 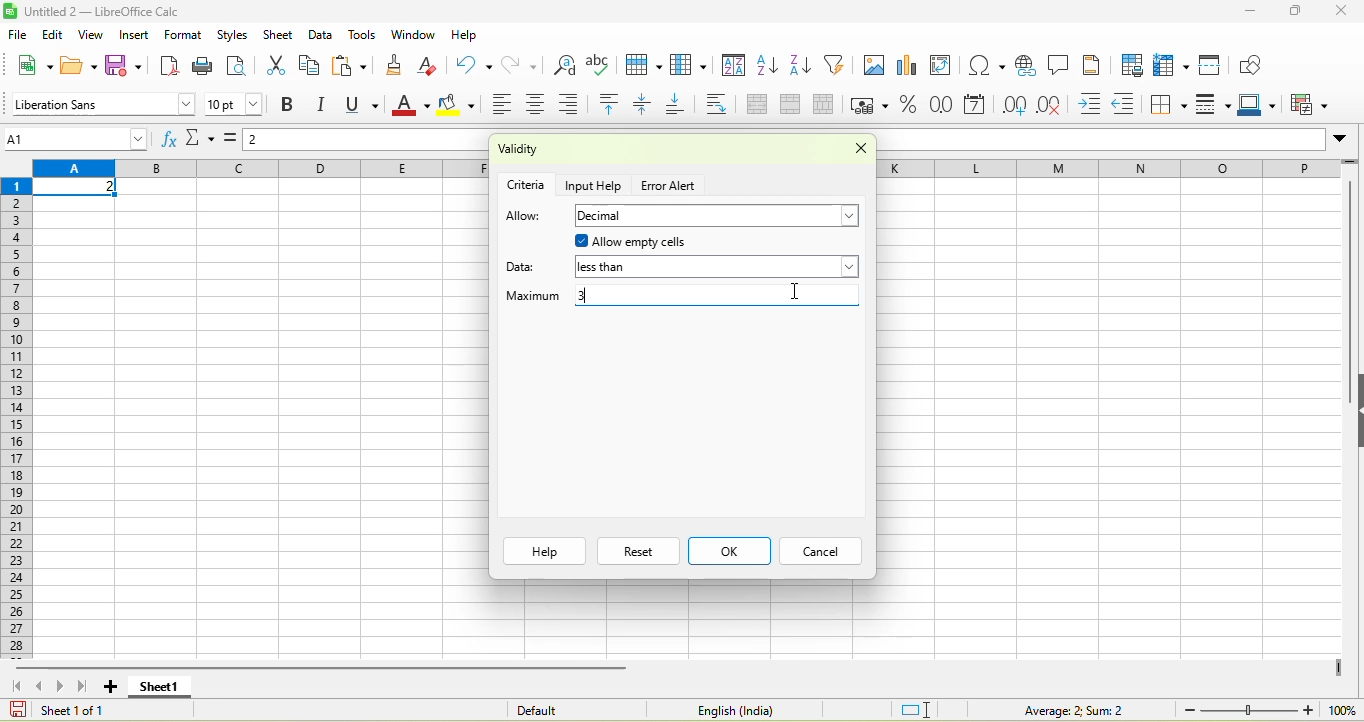 I want to click on copy, so click(x=310, y=65).